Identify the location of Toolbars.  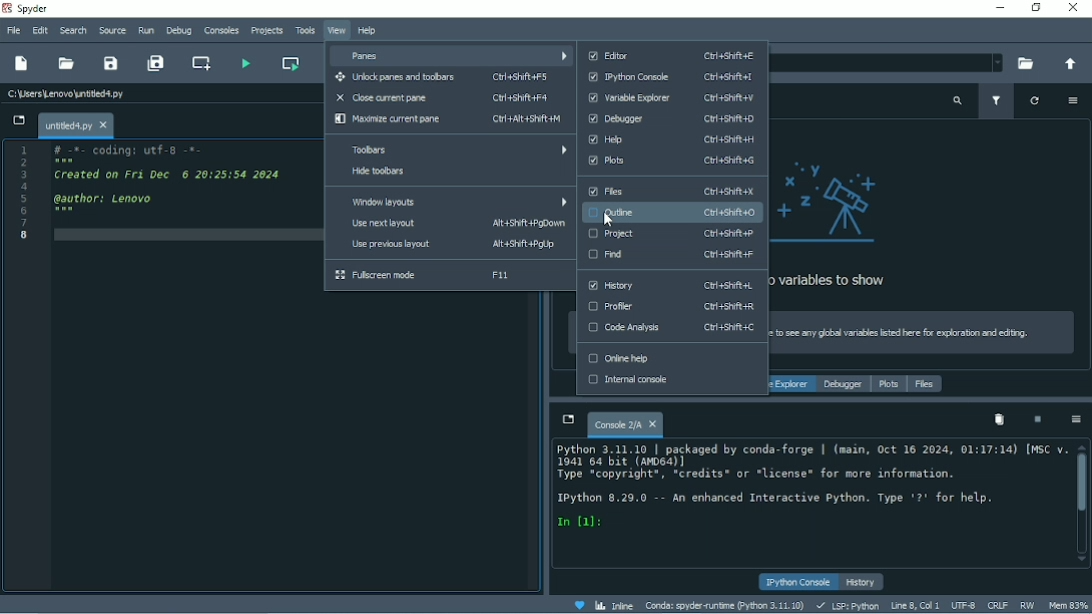
(450, 150).